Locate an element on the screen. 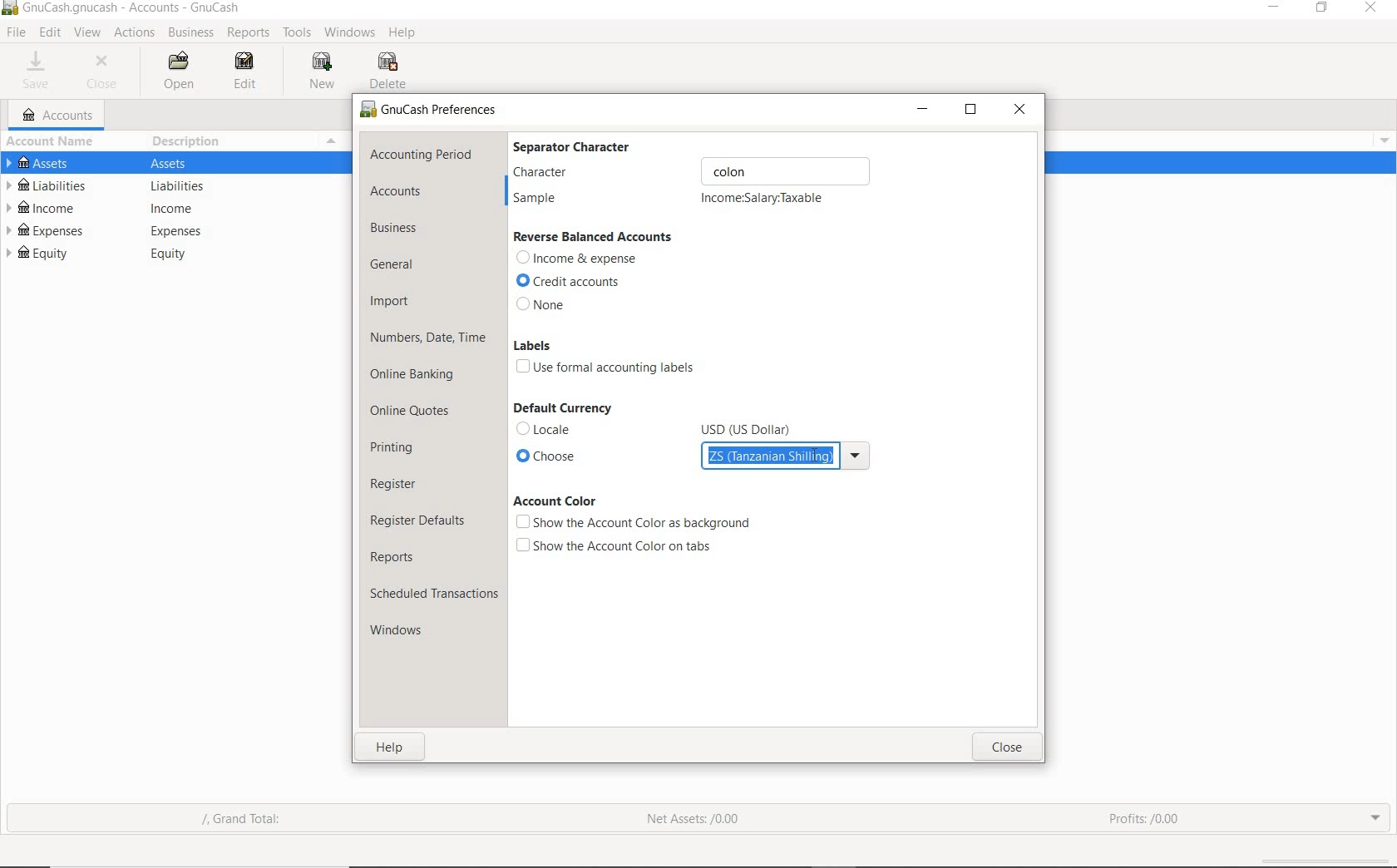 This screenshot has width=1397, height=868.  is located at coordinates (778, 170).